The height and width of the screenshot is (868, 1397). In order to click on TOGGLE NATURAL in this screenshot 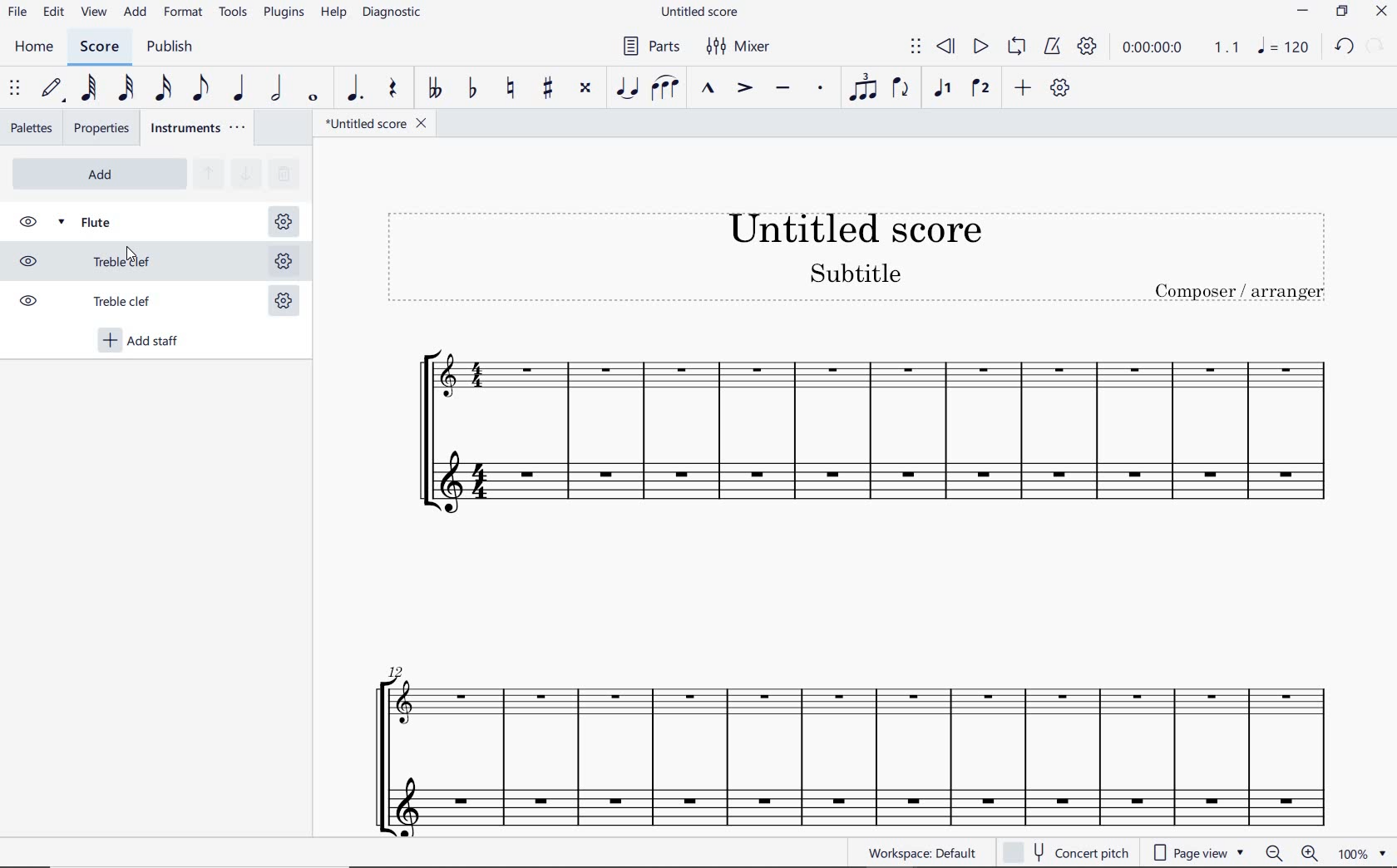, I will do `click(510, 89)`.